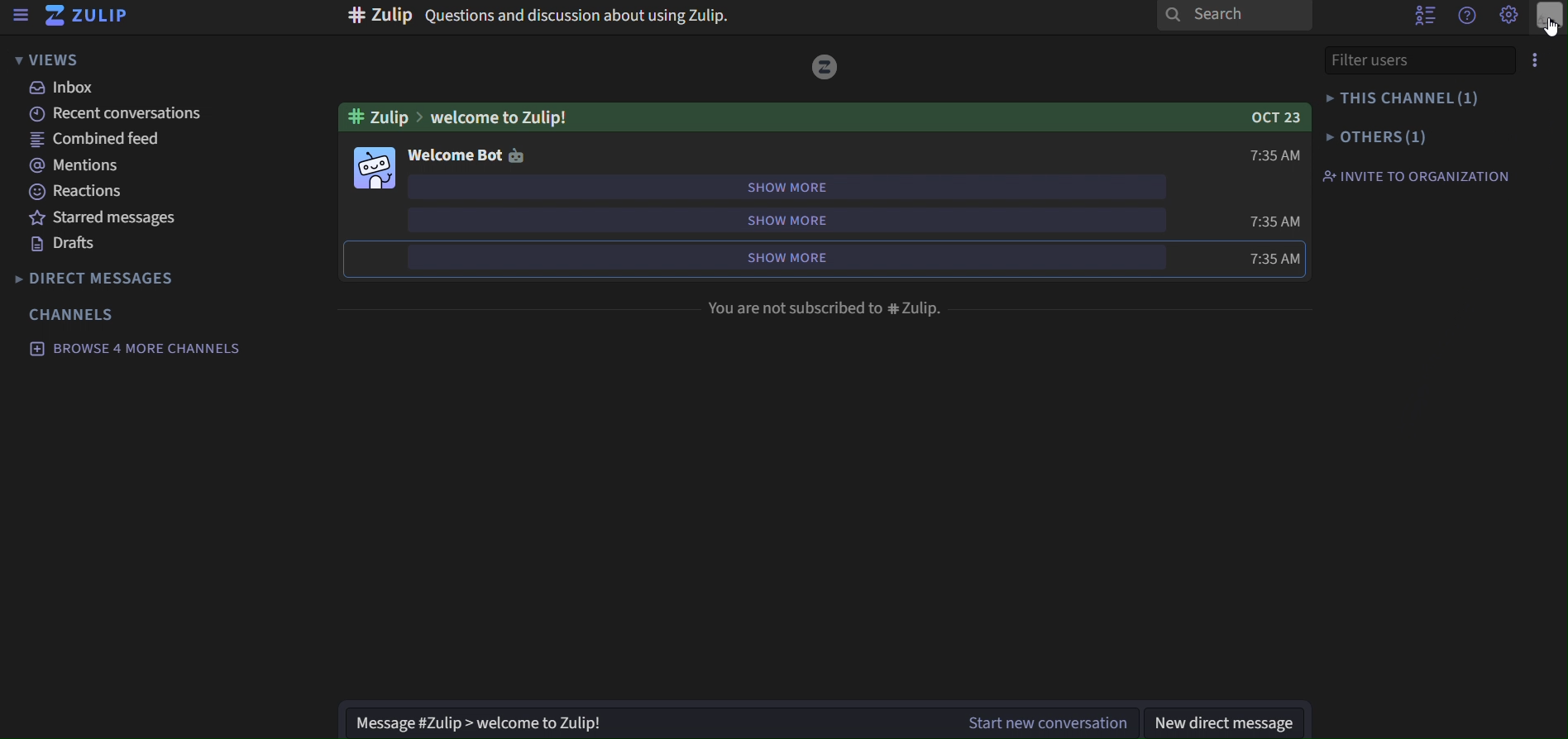  I want to click on this channel(1), so click(1403, 102).